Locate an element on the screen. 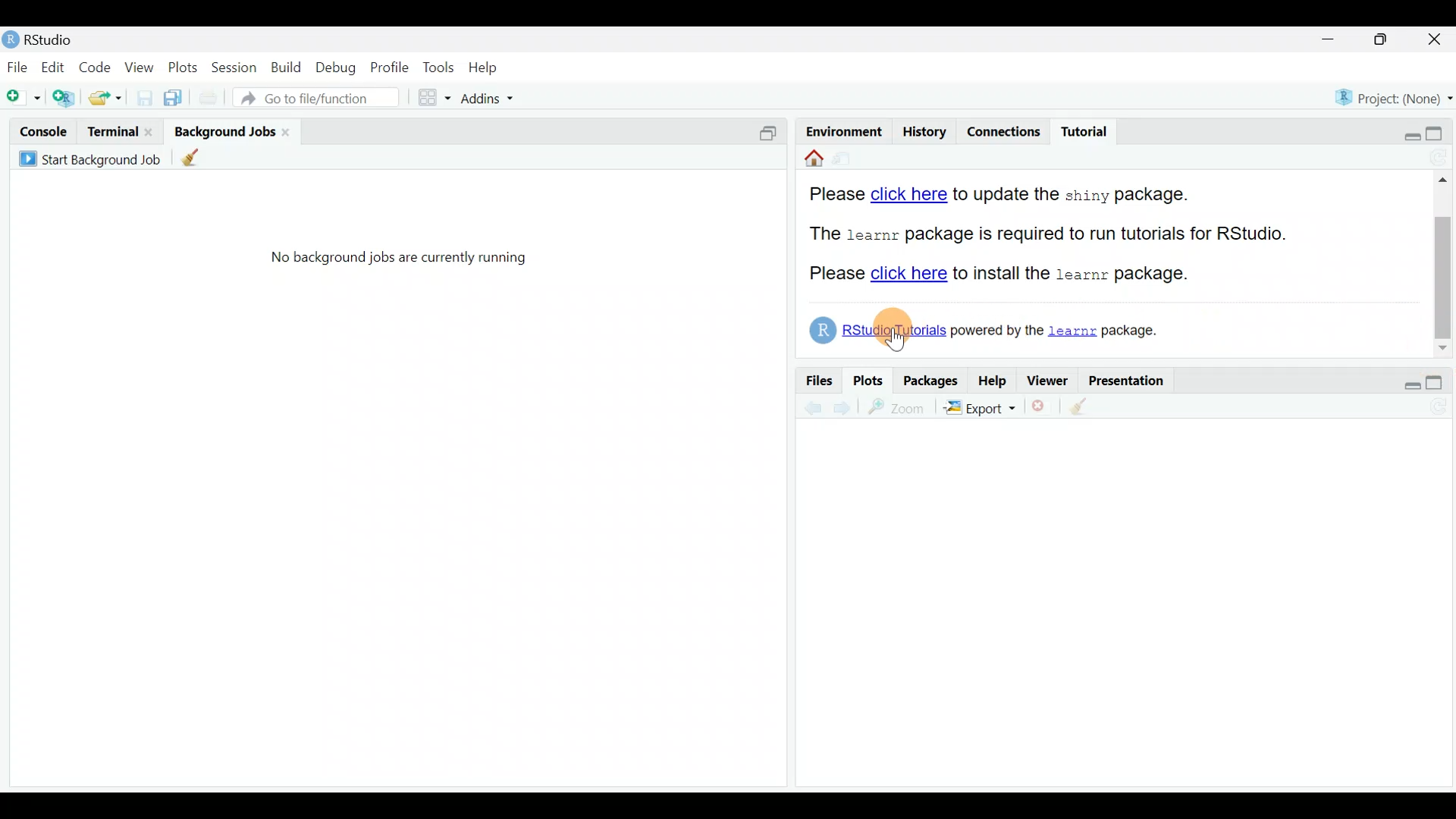 The width and height of the screenshot is (1456, 819). Tutorial is located at coordinates (1084, 127).